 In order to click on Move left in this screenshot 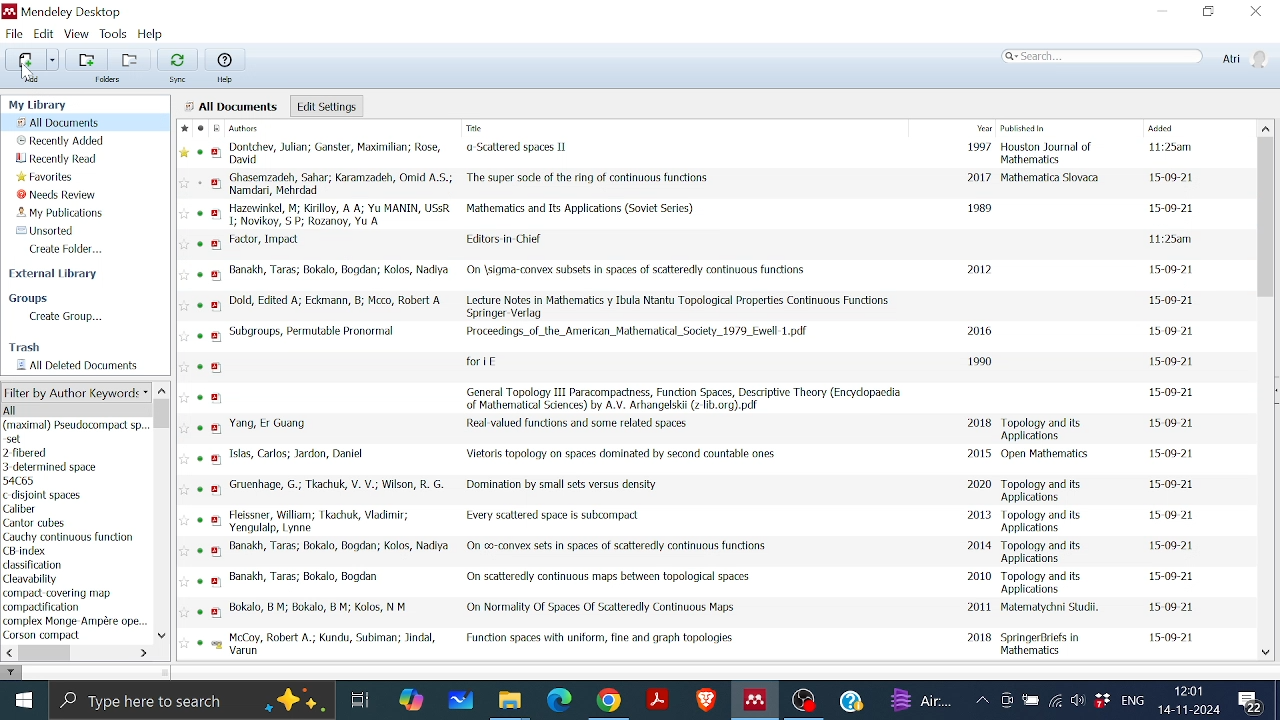, I will do `click(142, 652)`.